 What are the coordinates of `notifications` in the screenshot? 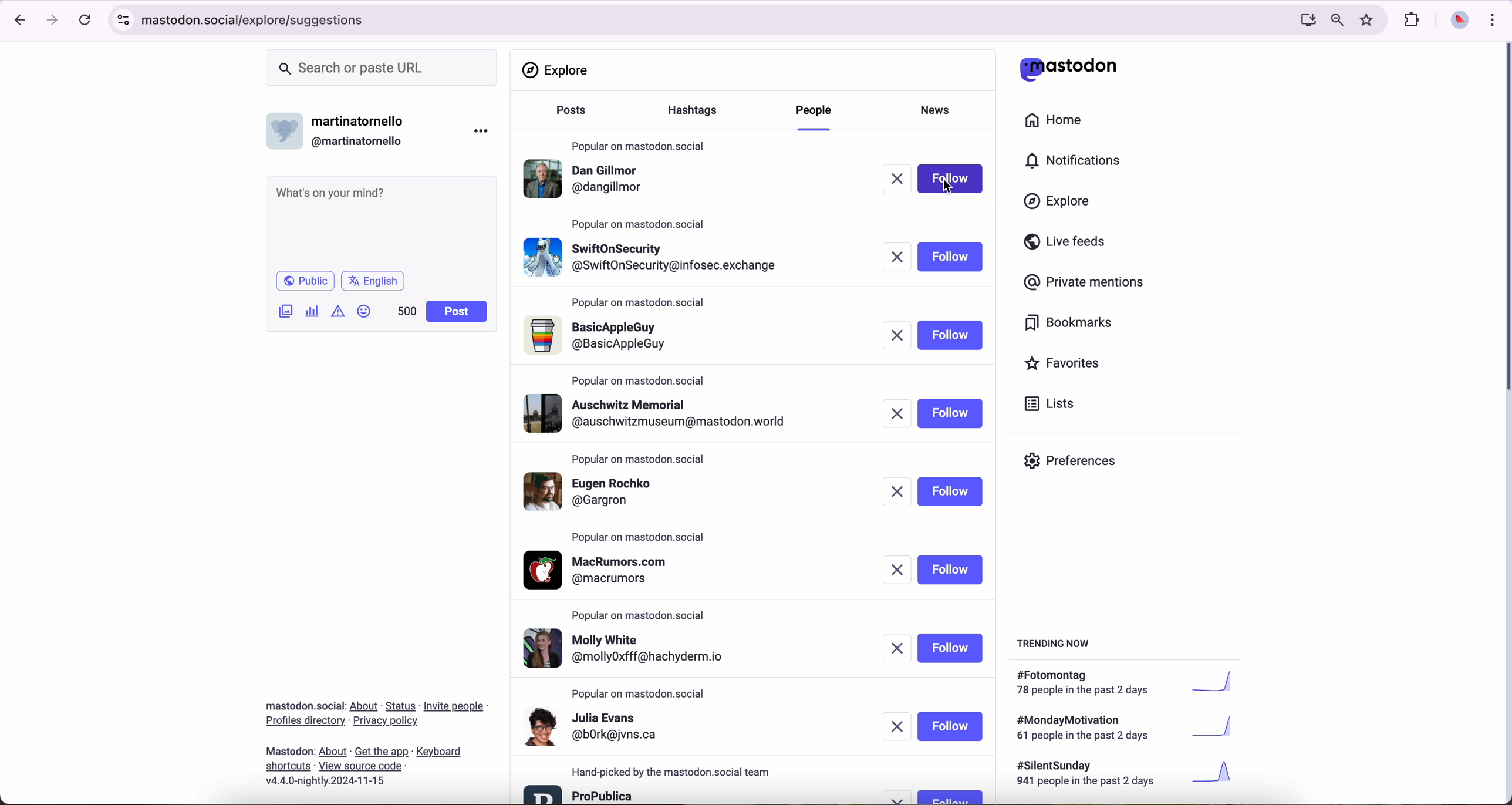 It's located at (1078, 161).